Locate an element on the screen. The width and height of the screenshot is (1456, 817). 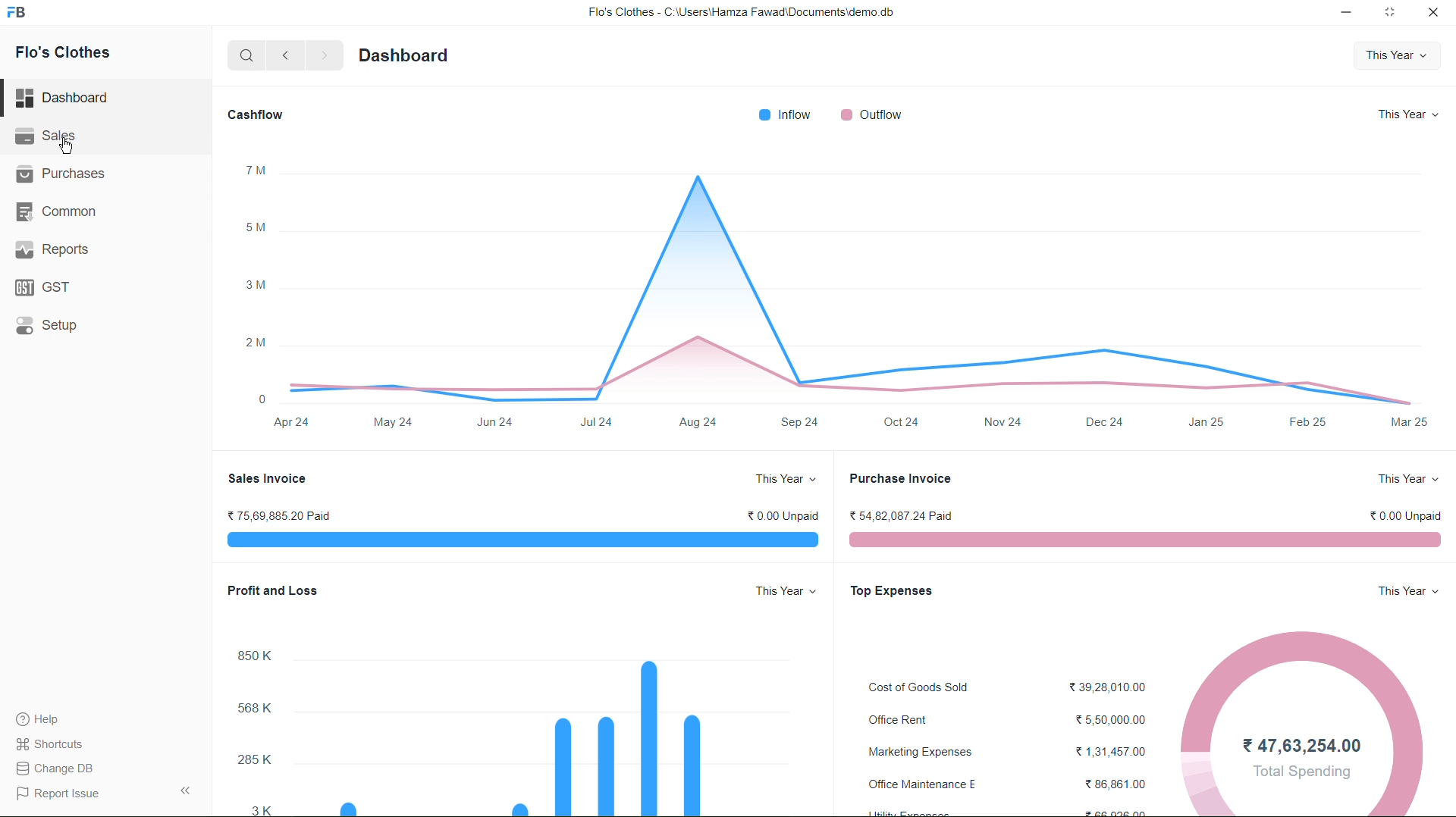
Jan 25 is located at coordinates (1207, 424).